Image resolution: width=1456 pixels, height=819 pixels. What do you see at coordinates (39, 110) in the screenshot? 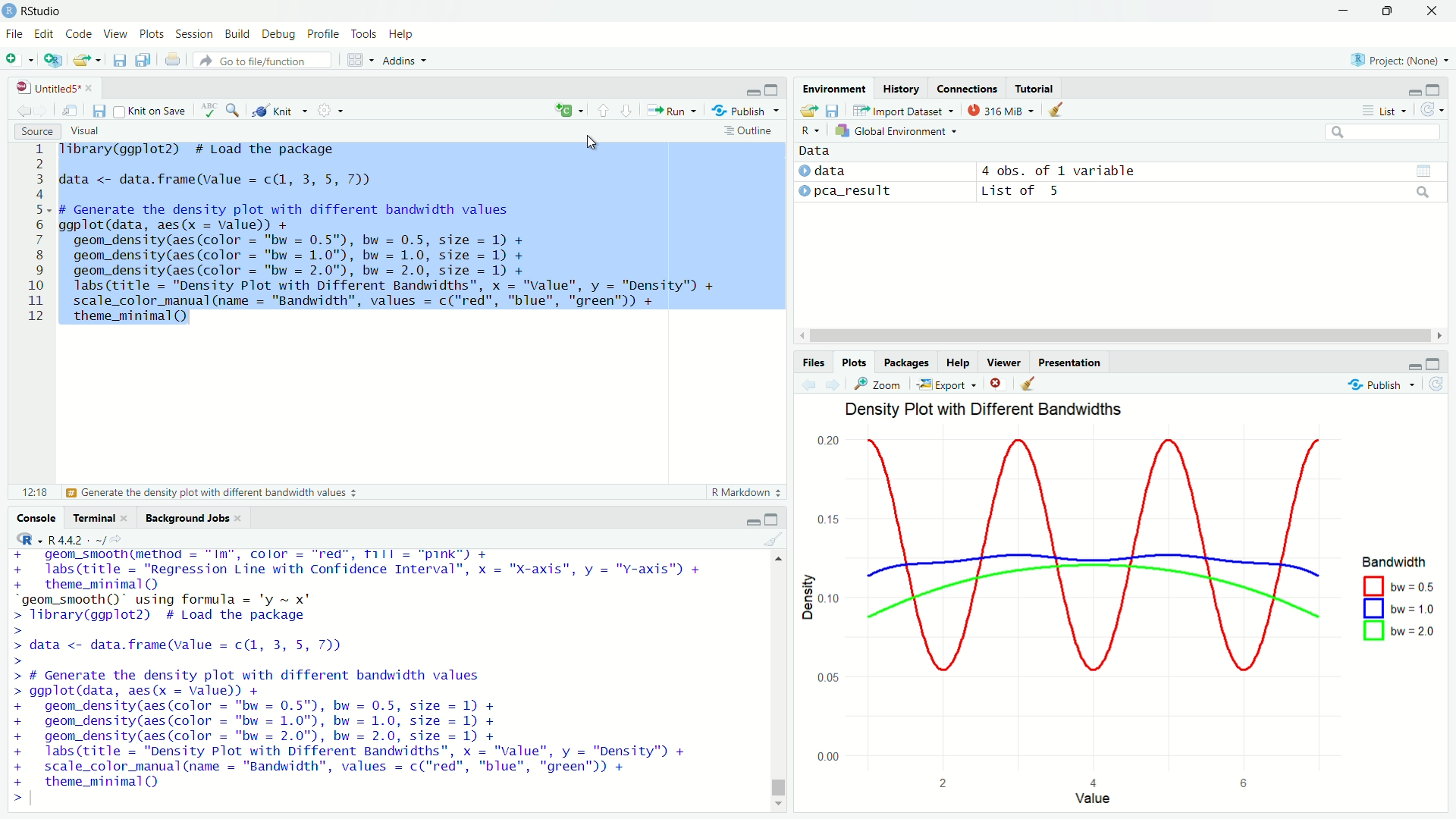
I see `Go forward to next source location` at bounding box center [39, 110].